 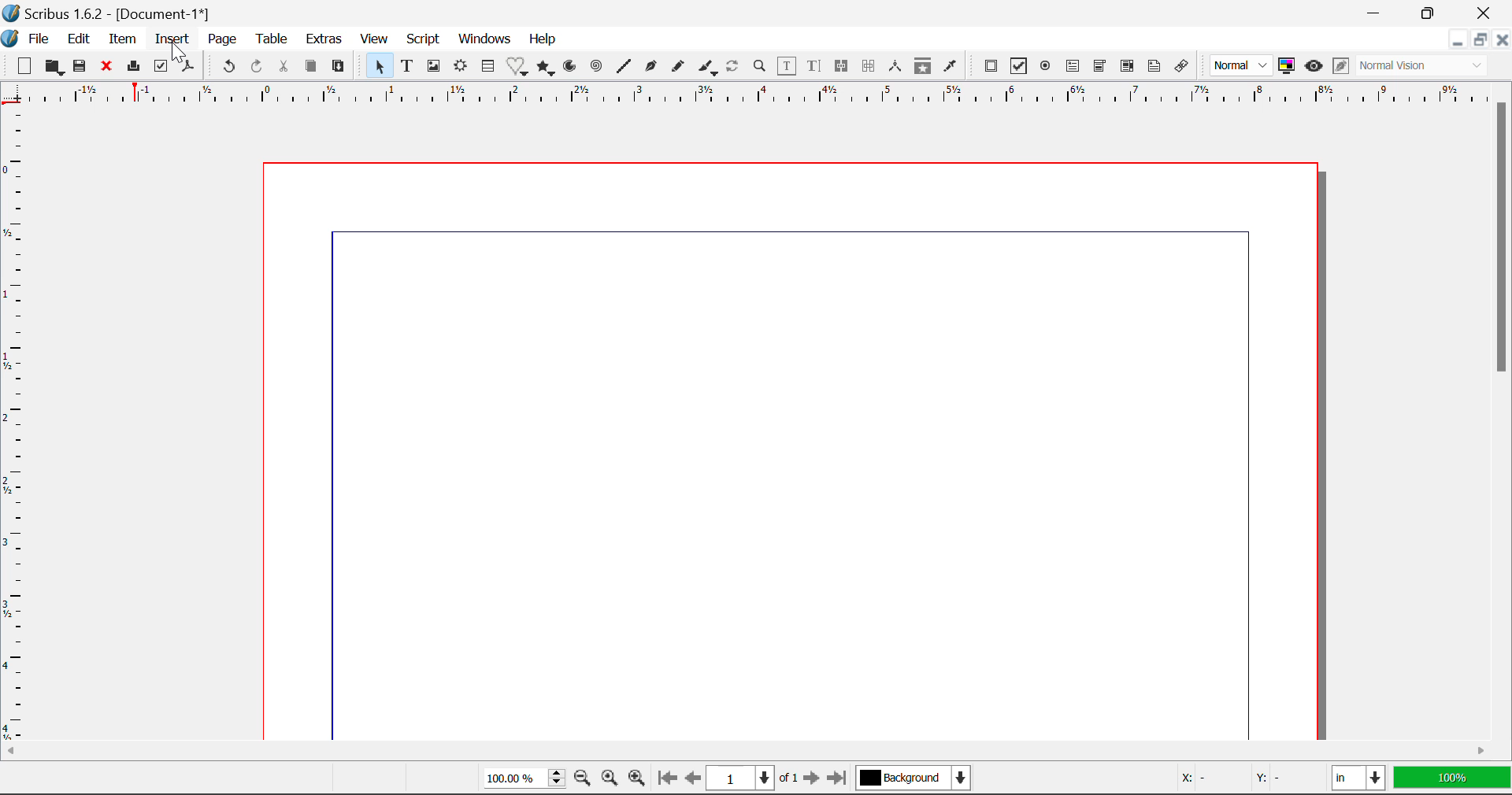 I want to click on Close, so click(x=1488, y=13).